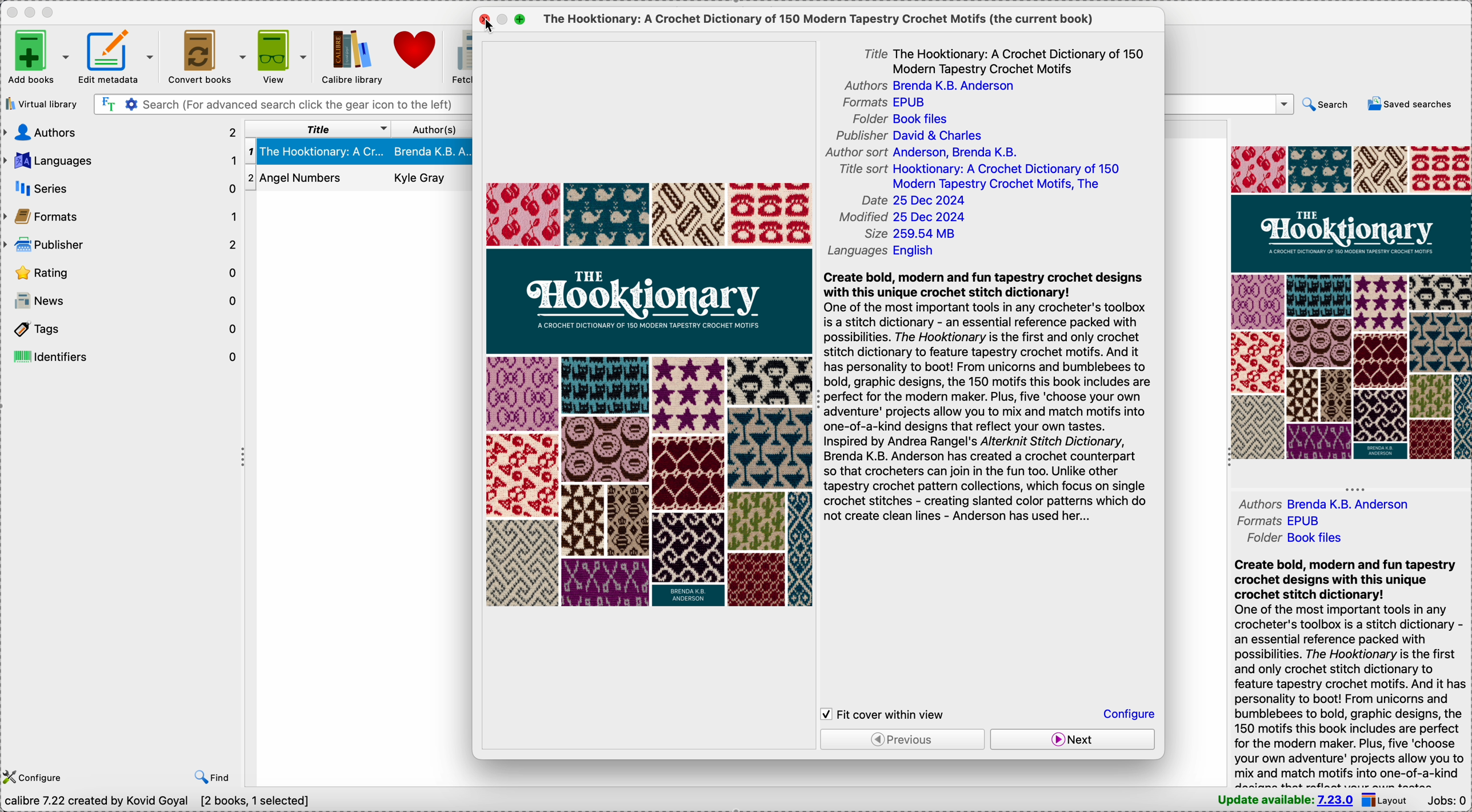 The width and height of the screenshot is (1472, 812). Describe the element at coordinates (121, 217) in the screenshot. I see `formats` at that location.